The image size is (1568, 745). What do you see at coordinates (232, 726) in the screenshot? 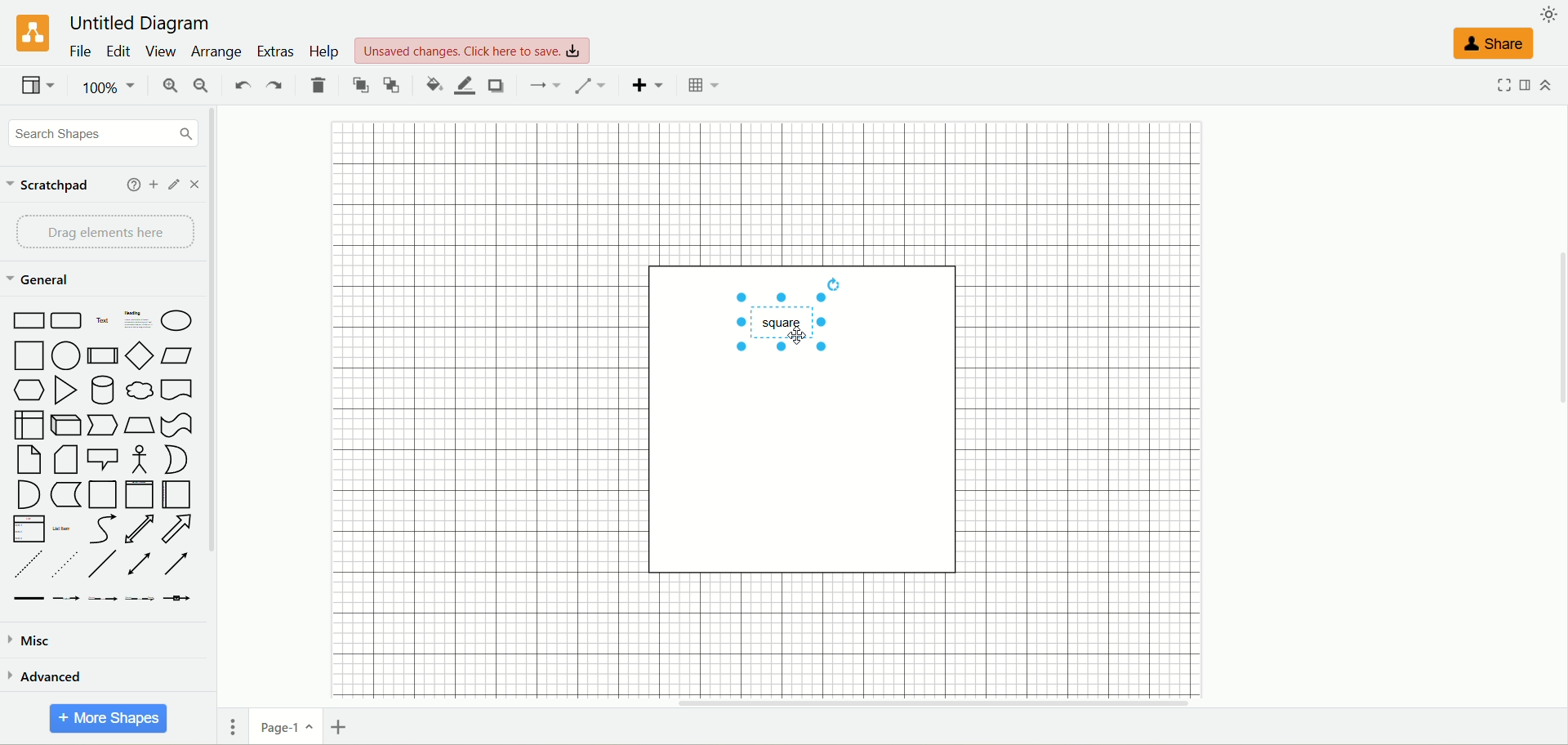
I see `pages` at bounding box center [232, 726].